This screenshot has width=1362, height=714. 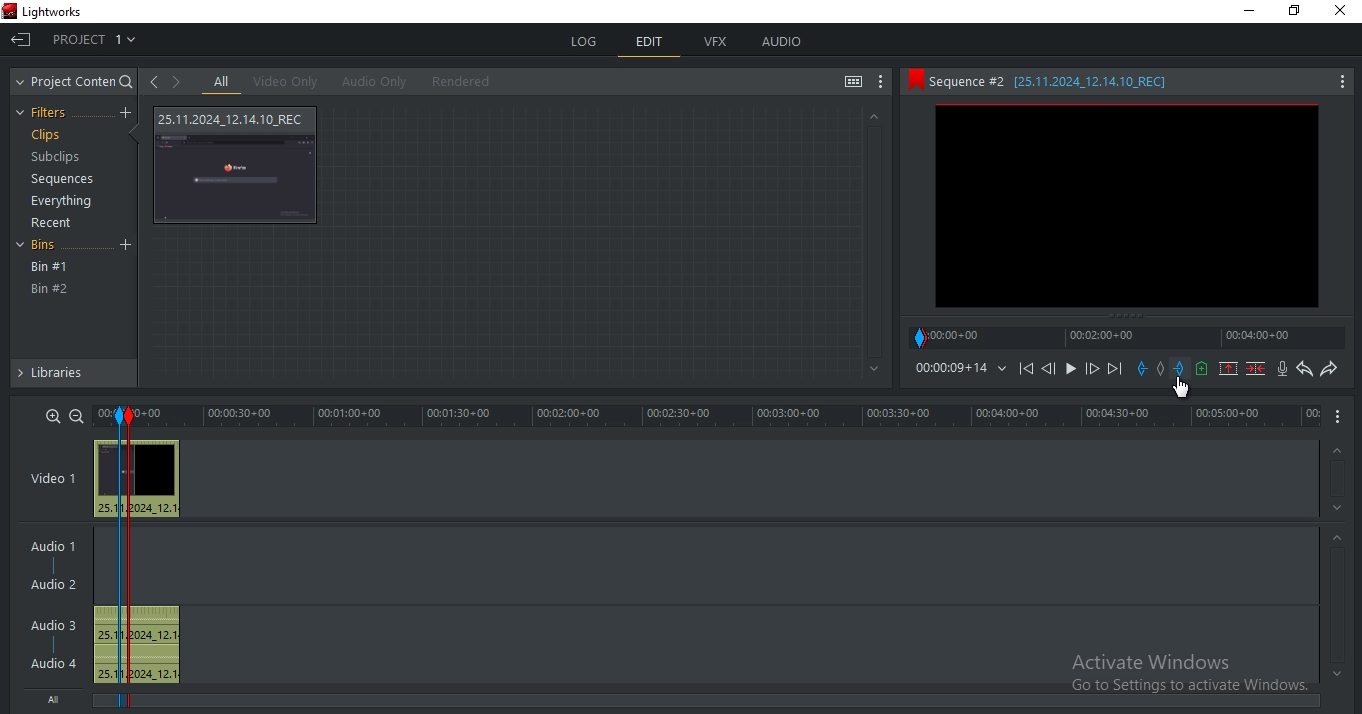 I want to click on Maximize, so click(x=1299, y=14).